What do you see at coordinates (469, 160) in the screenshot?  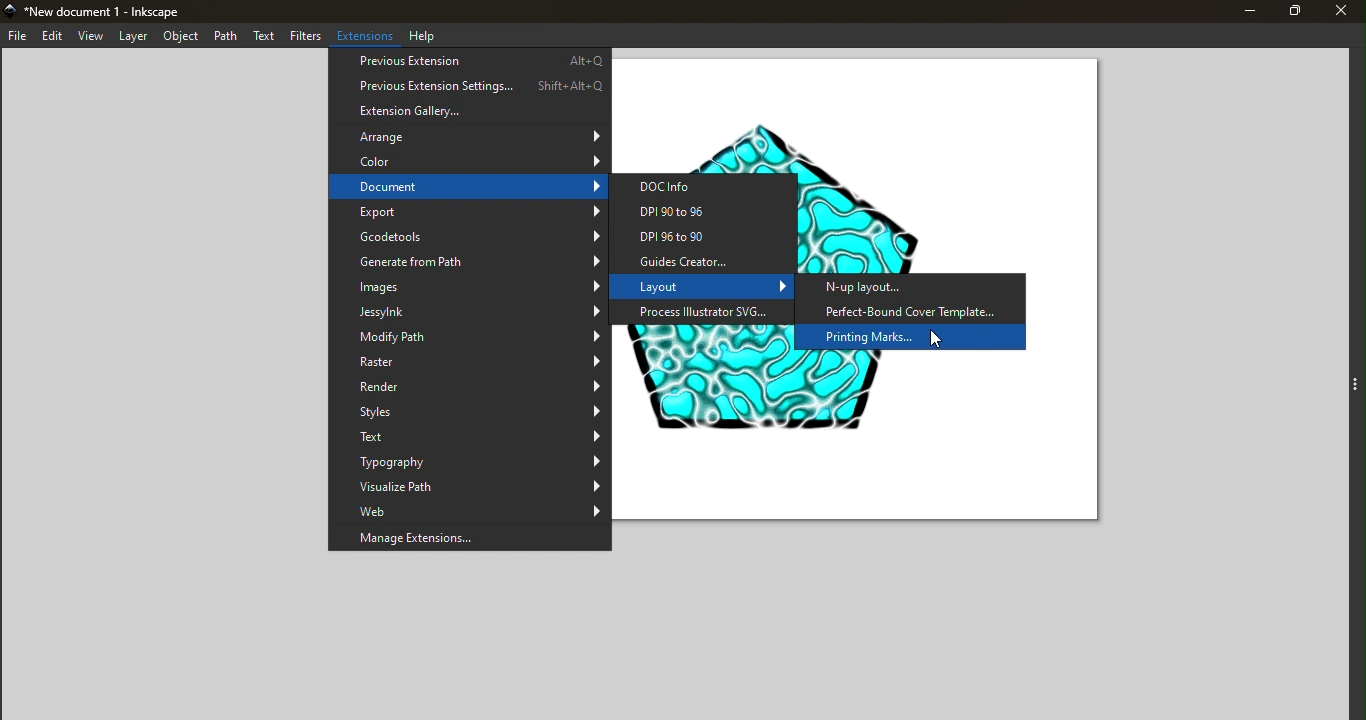 I see `Color` at bounding box center [469, 160].